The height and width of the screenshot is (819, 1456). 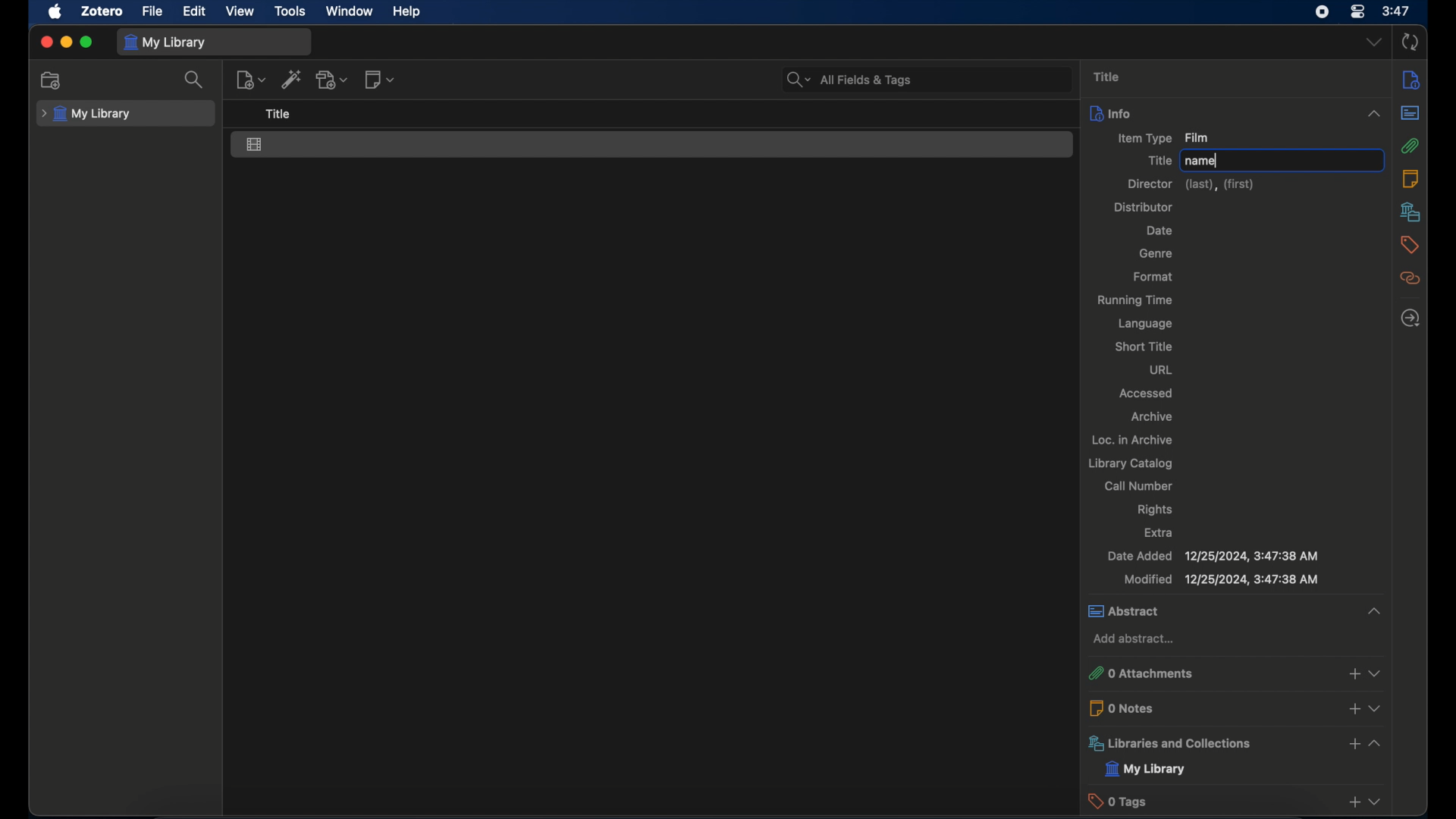 What do you see at coordinates (1201, 162) in the screenshot?
I see `name` at bounding box center [1201, 162].